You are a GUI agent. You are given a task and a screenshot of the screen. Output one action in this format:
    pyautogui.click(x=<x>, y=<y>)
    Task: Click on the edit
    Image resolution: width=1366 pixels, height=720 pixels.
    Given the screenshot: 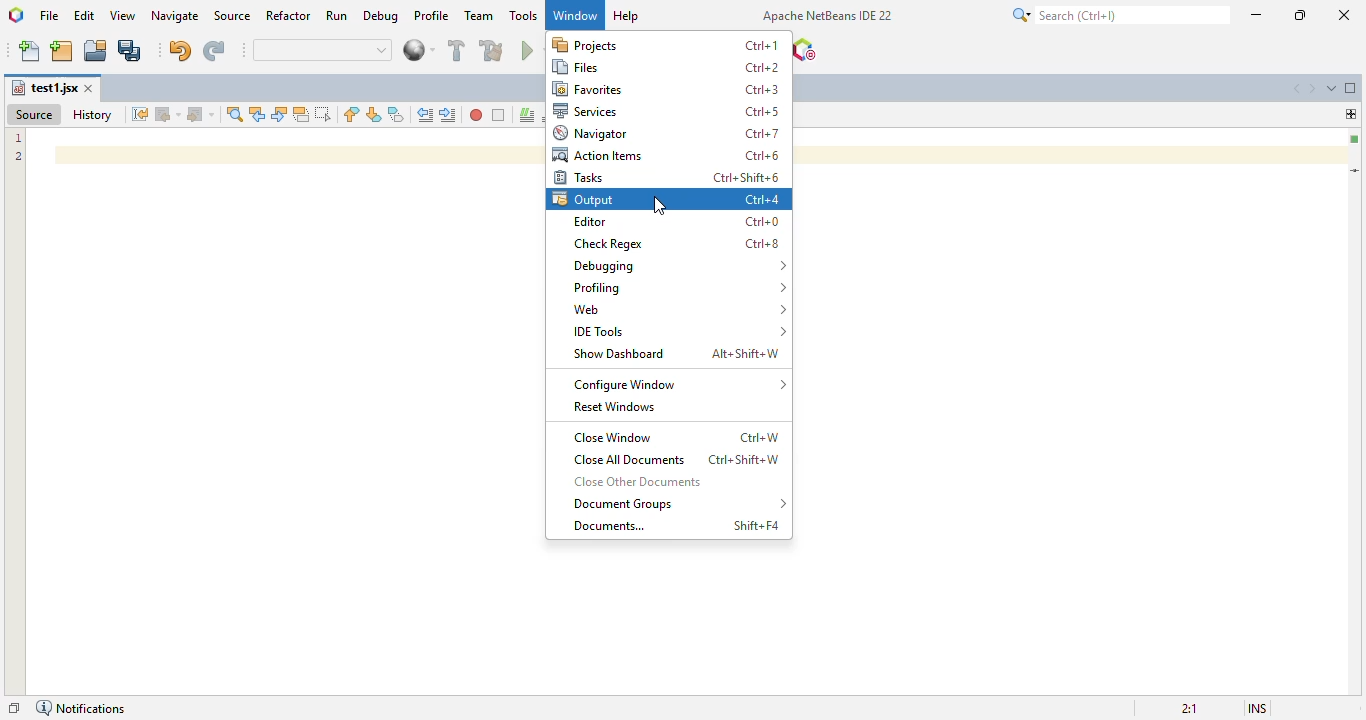 What is the action you would take?
    pyautogui.click(x=85, y=15)
    